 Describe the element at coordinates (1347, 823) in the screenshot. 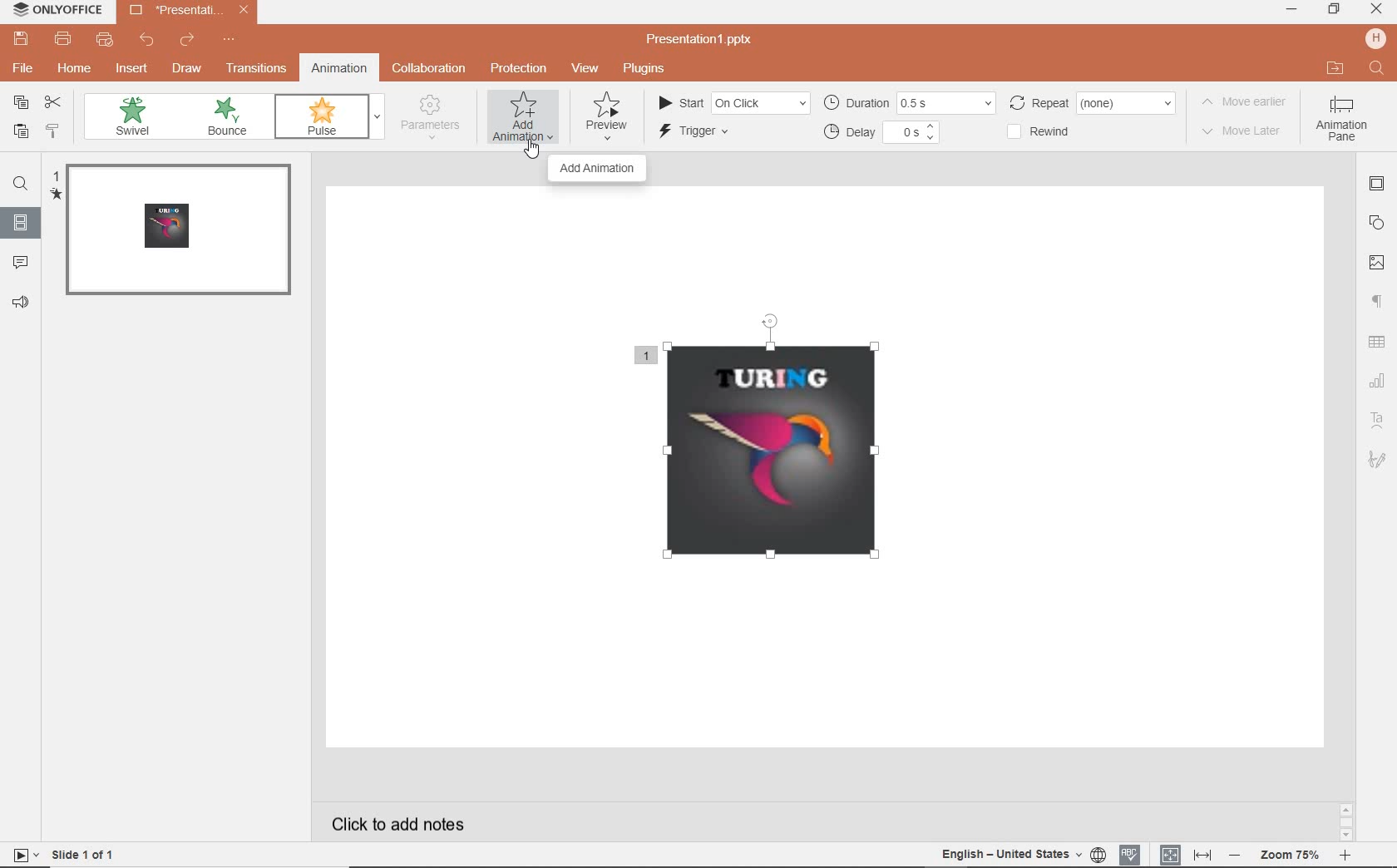

I see `scroll bar` at that location.